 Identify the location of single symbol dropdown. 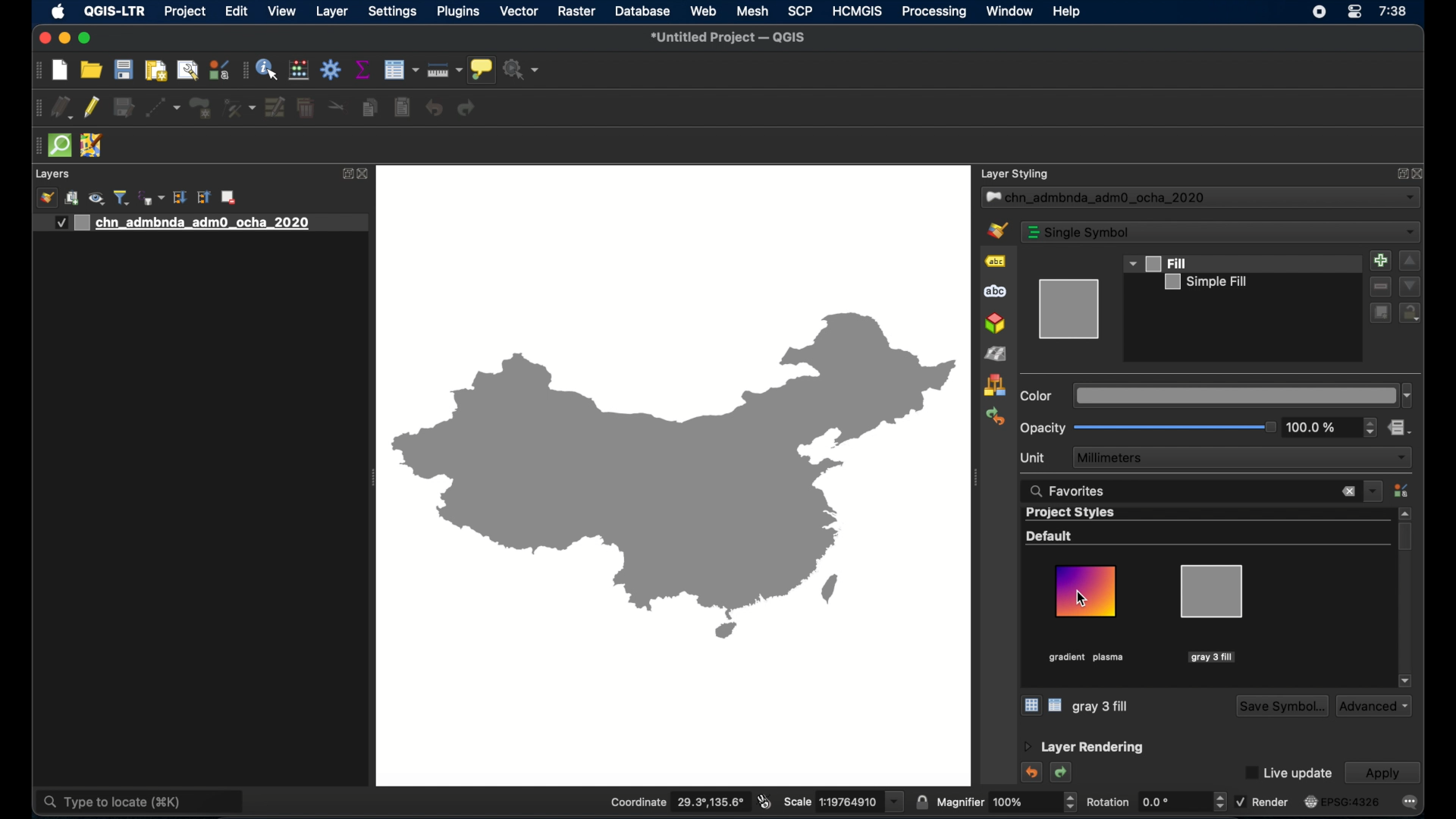
(1220, 232).